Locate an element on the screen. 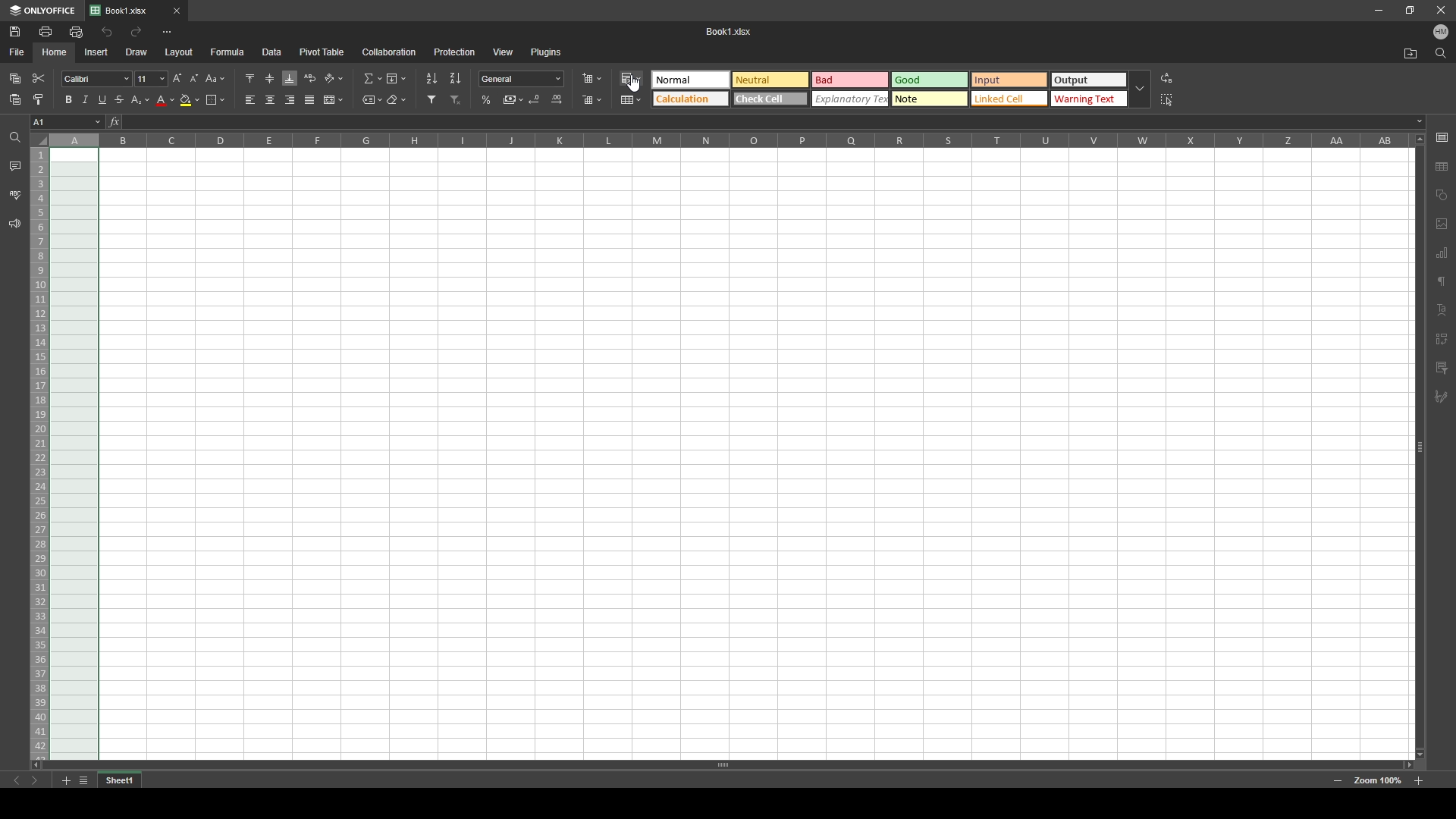 The height and width of the screenshot is (819, 1456). close tab is located at coordinates (177, 11).